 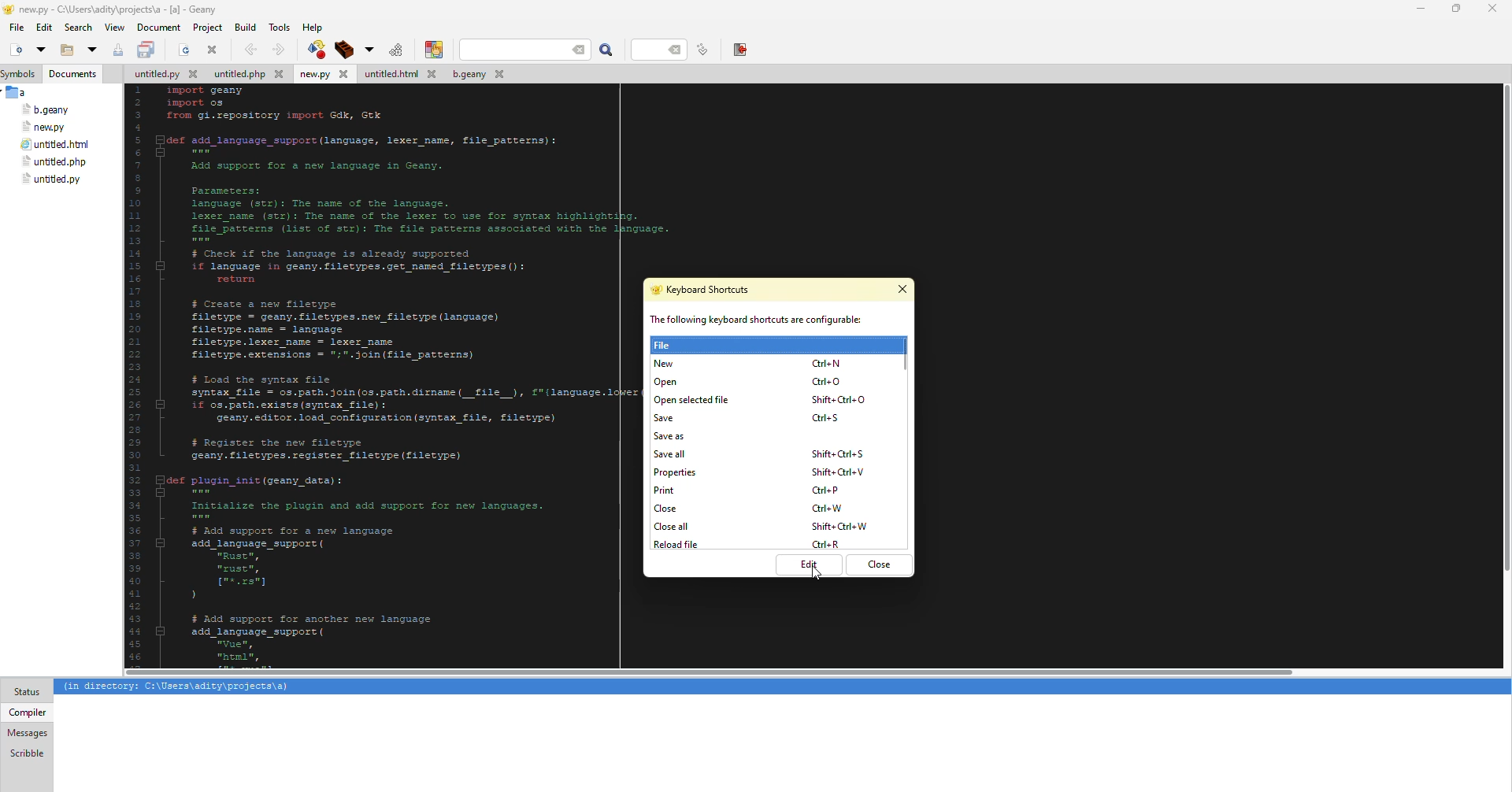 What do you see at coordinates (367, 50) in the screenshot?
I see `build options` at bounding box center [367, 50].